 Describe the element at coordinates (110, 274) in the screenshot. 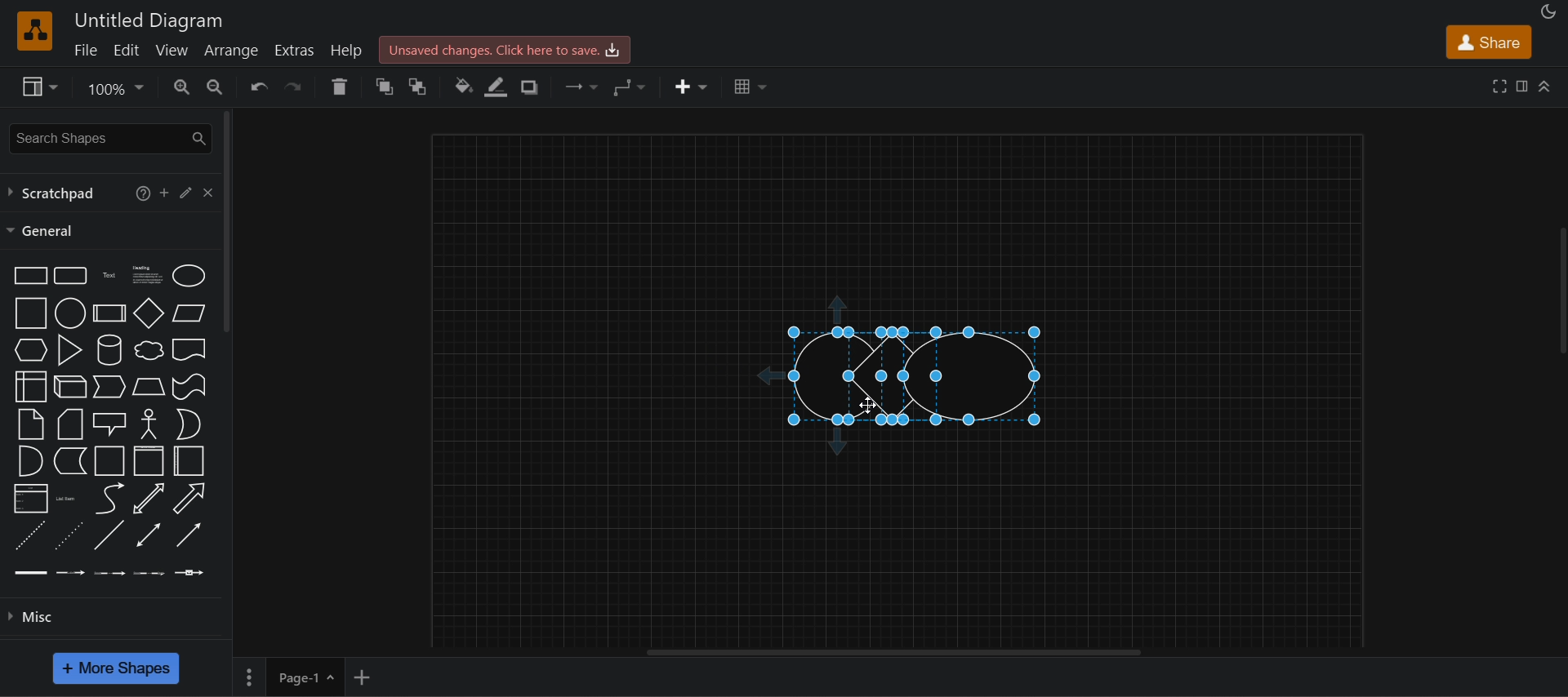

I see `text` at that location.